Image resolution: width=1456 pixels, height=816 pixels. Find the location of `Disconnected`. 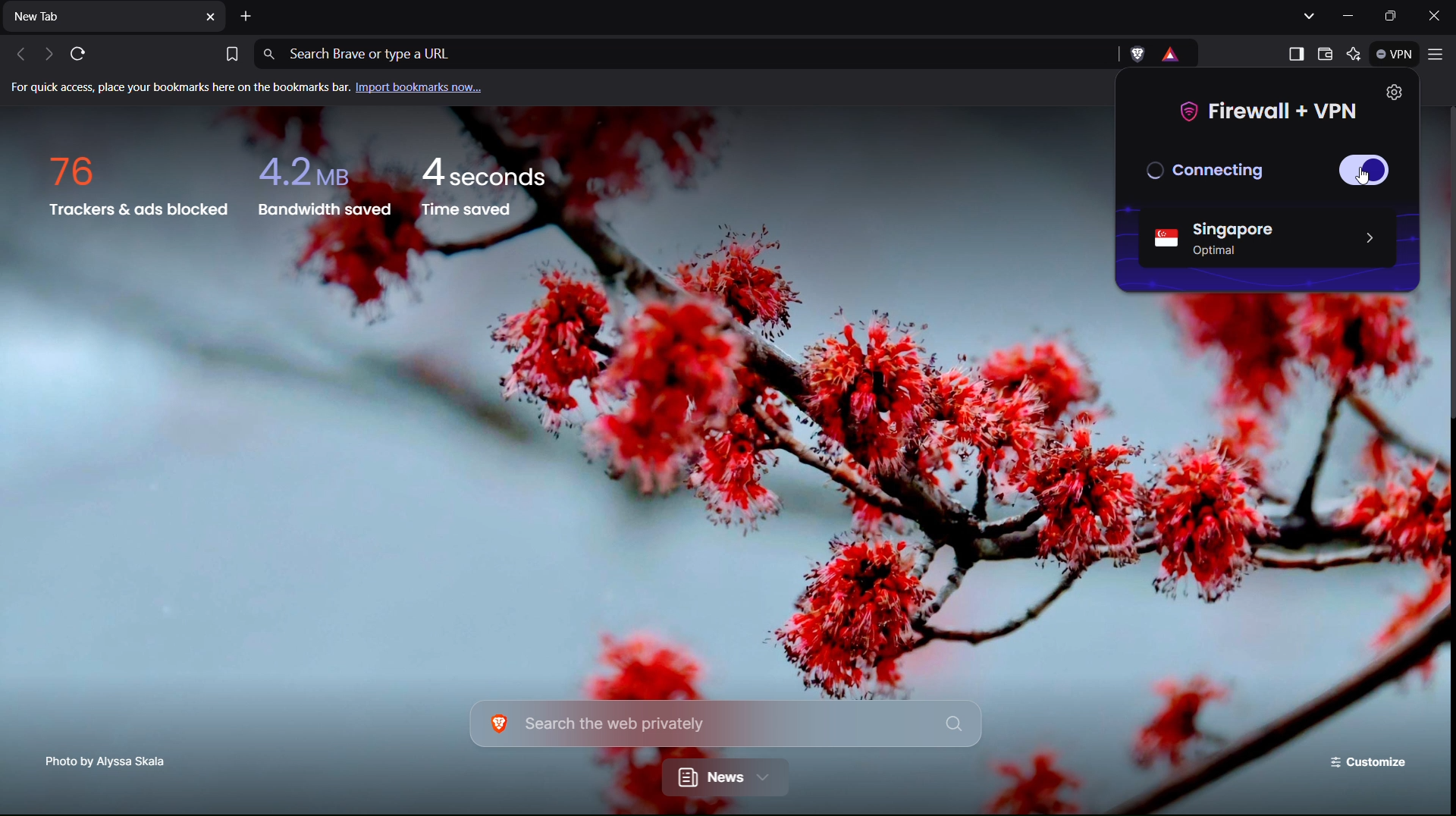

Disconnected is located at coordinates (1222, 169).